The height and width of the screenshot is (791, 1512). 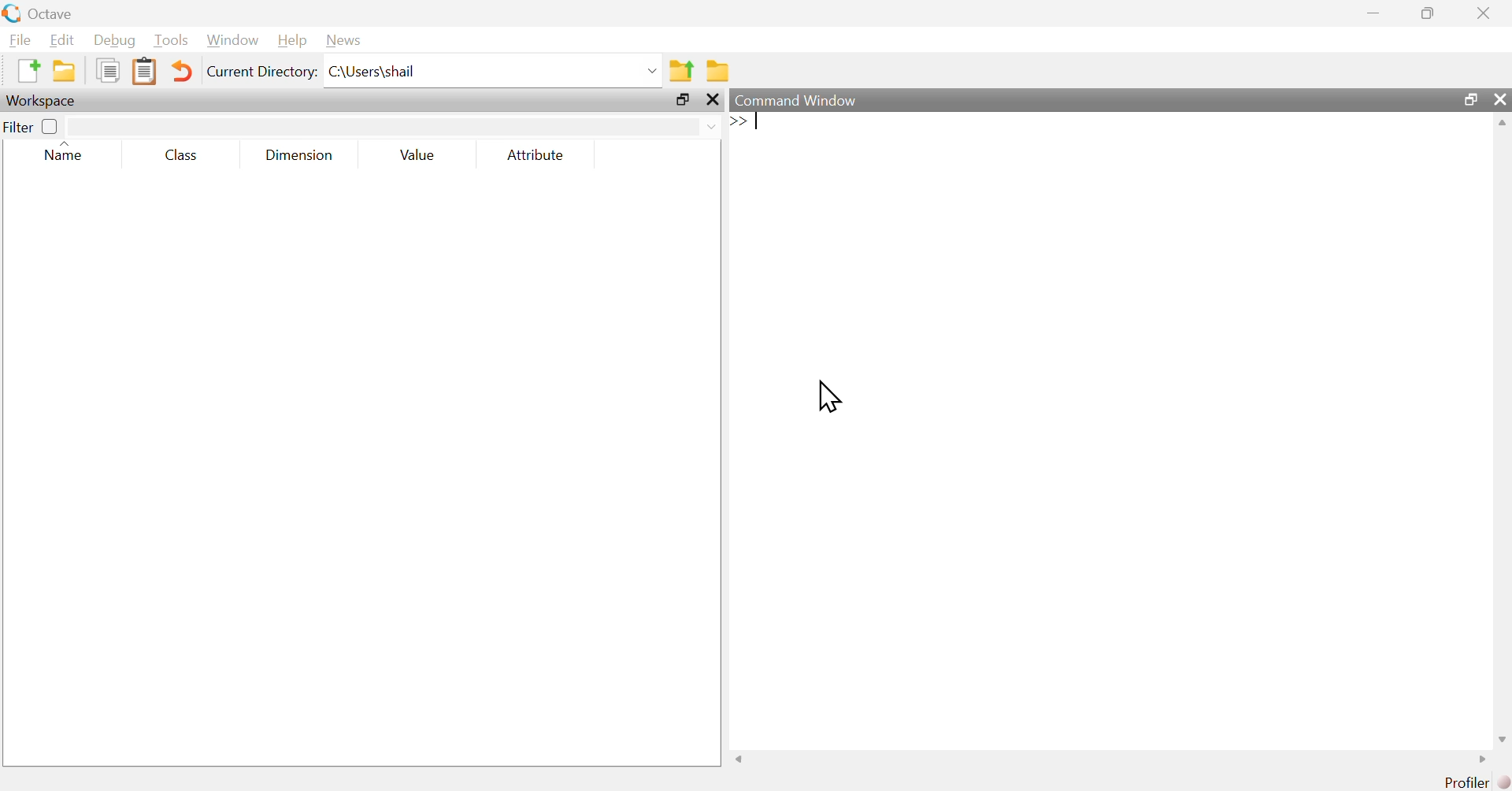 I want to click on Value, so click(x=419, y=157).